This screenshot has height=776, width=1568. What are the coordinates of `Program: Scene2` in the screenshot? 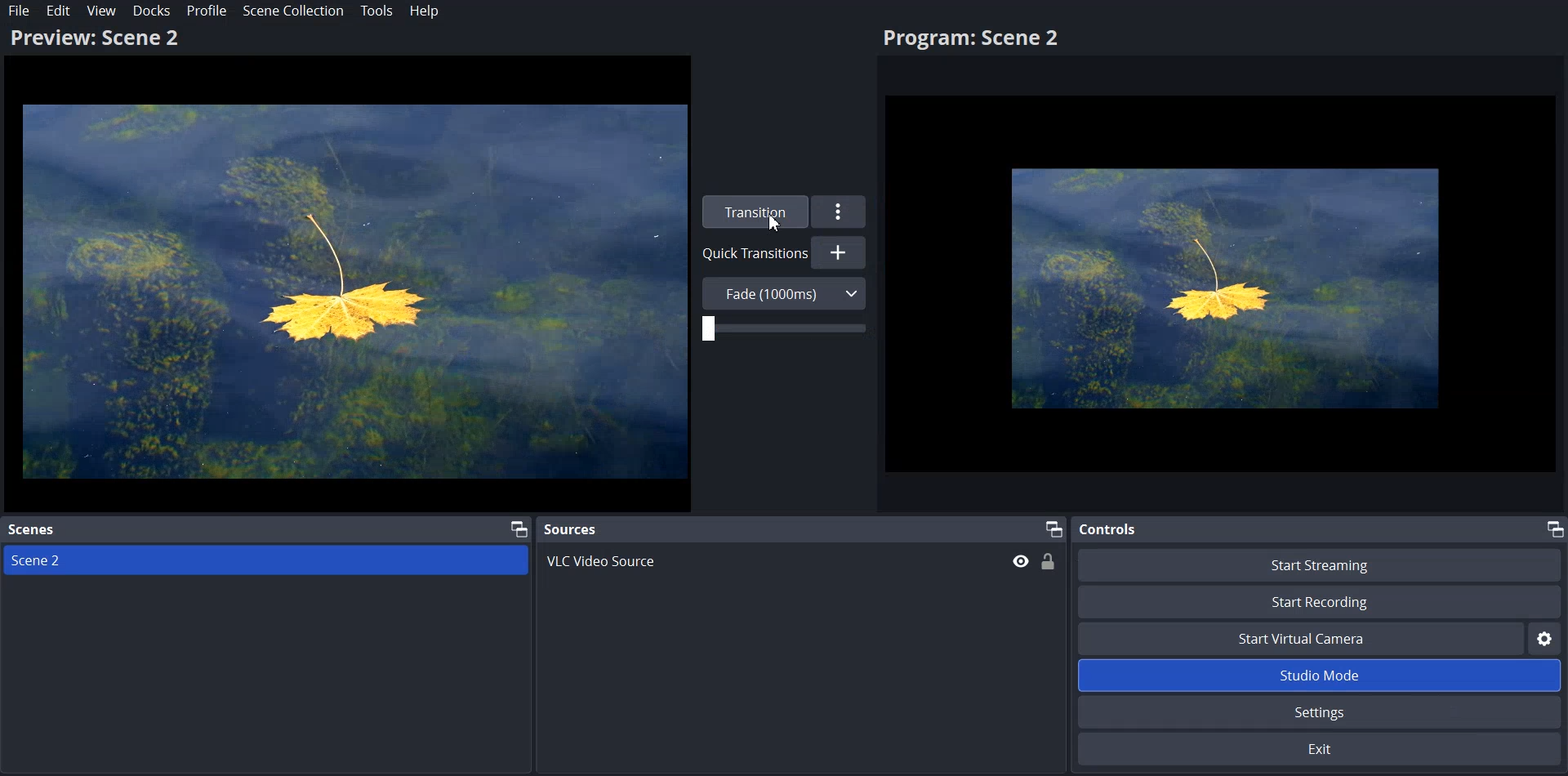 It's located at (978, 40).